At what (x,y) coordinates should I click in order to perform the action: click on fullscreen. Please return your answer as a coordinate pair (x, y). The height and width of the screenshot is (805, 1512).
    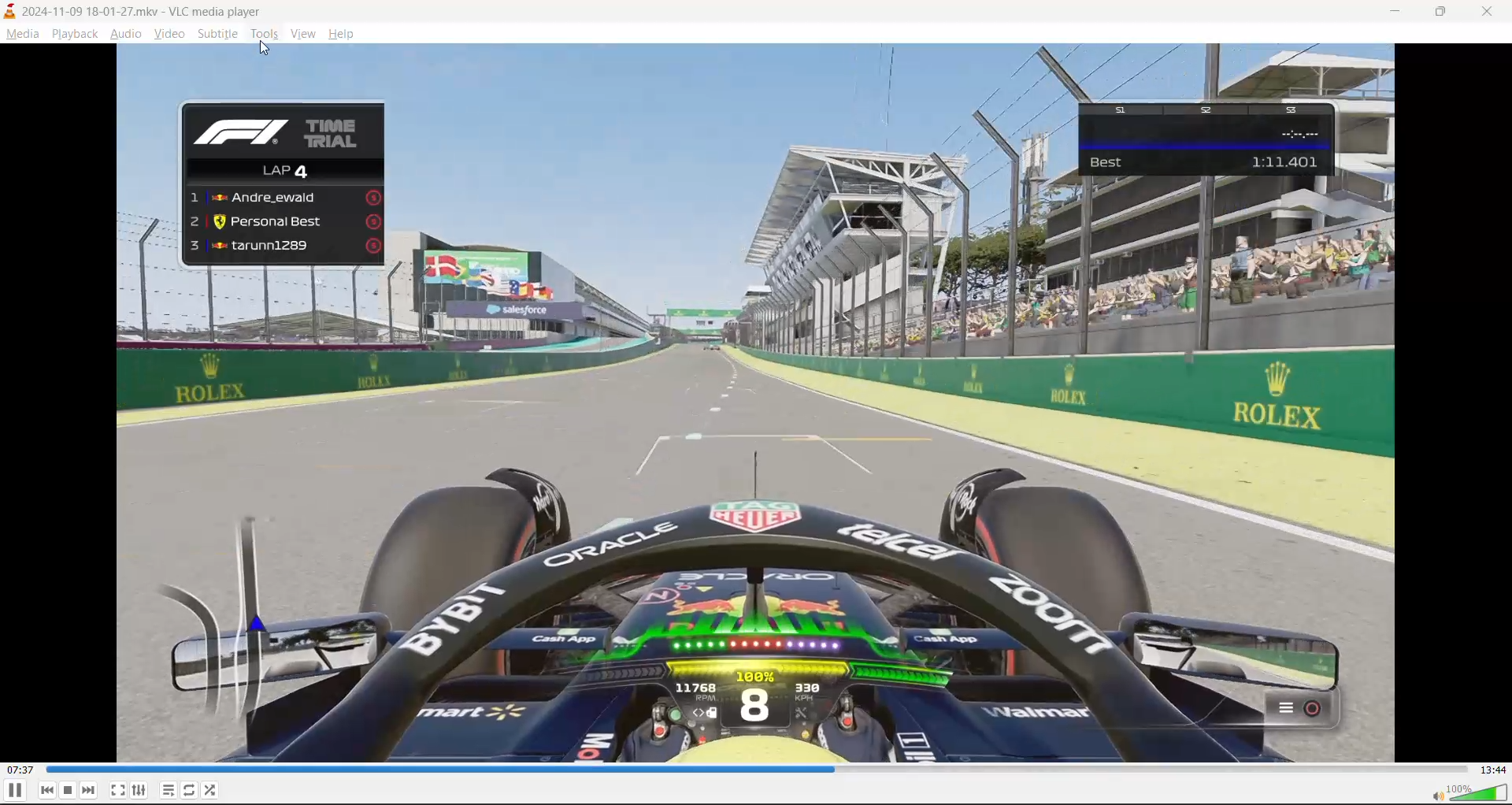
    Looking at the image, I should click on (117, 787).